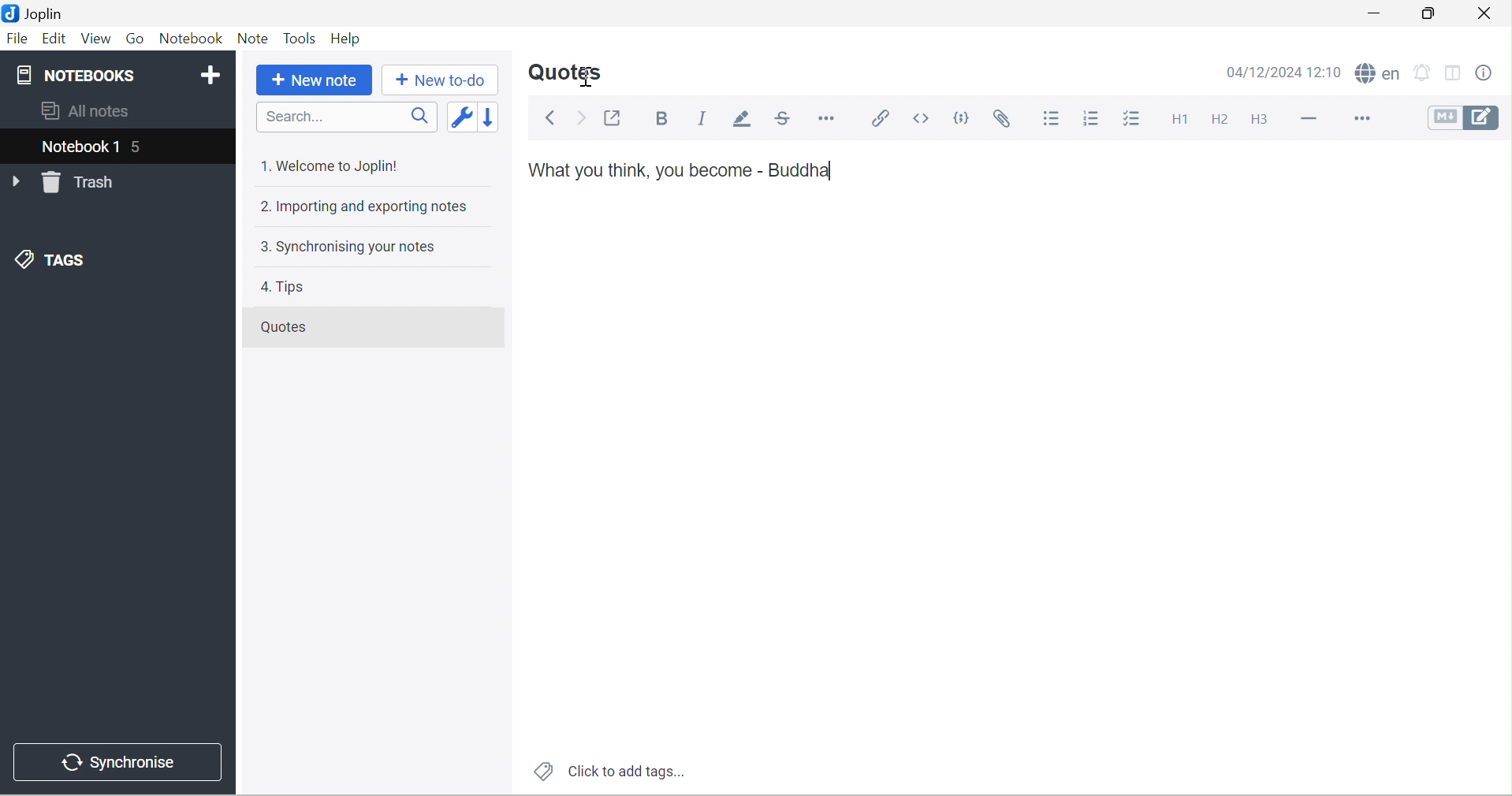 The height and width of the screenshot is (796, 1512). Describe the element at coordinates (97, 39) in the screenshot. I see `View` at that location.